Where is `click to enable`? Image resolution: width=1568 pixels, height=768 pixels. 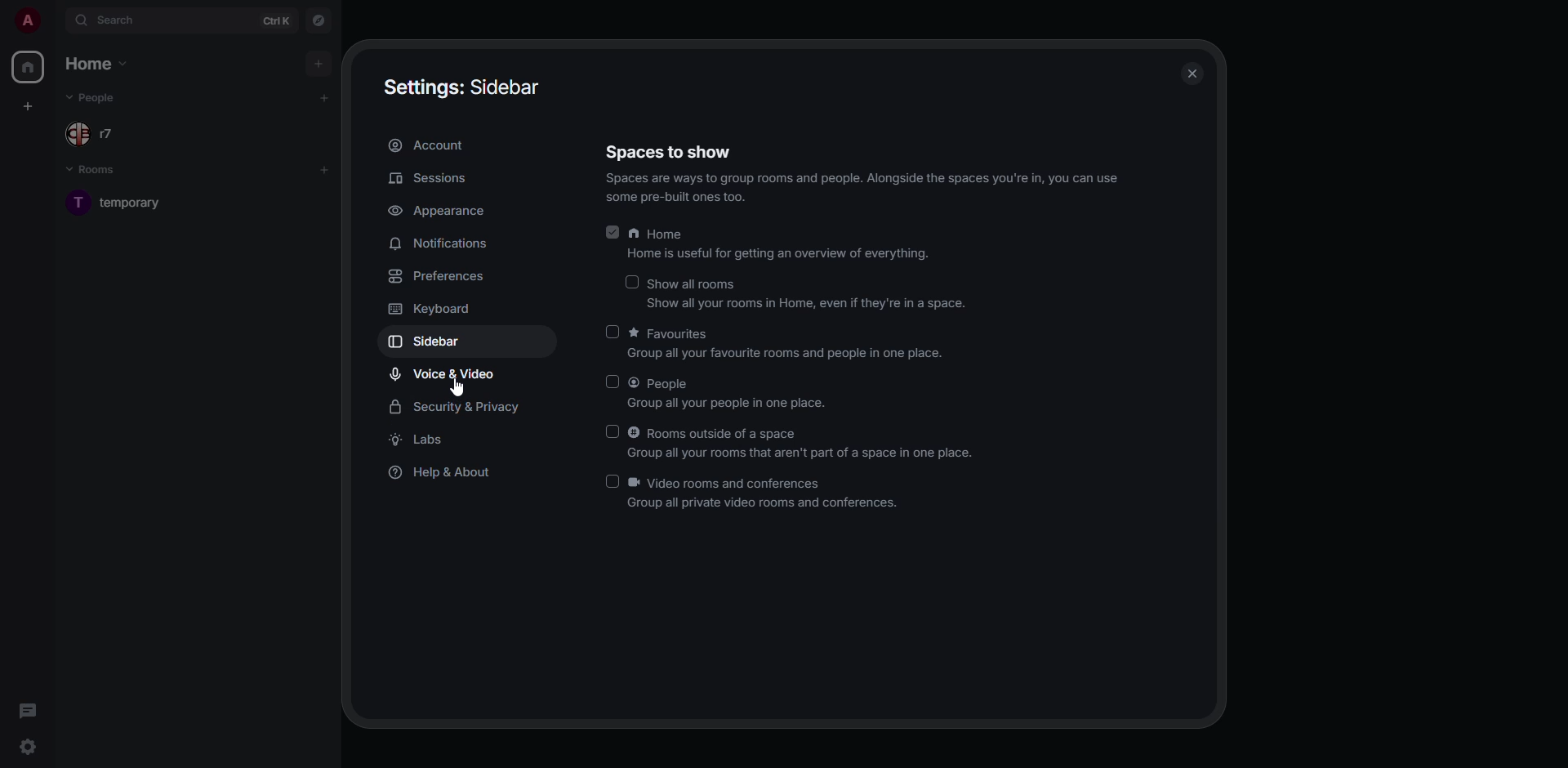
click to enable is located at coordinates (612, 382).